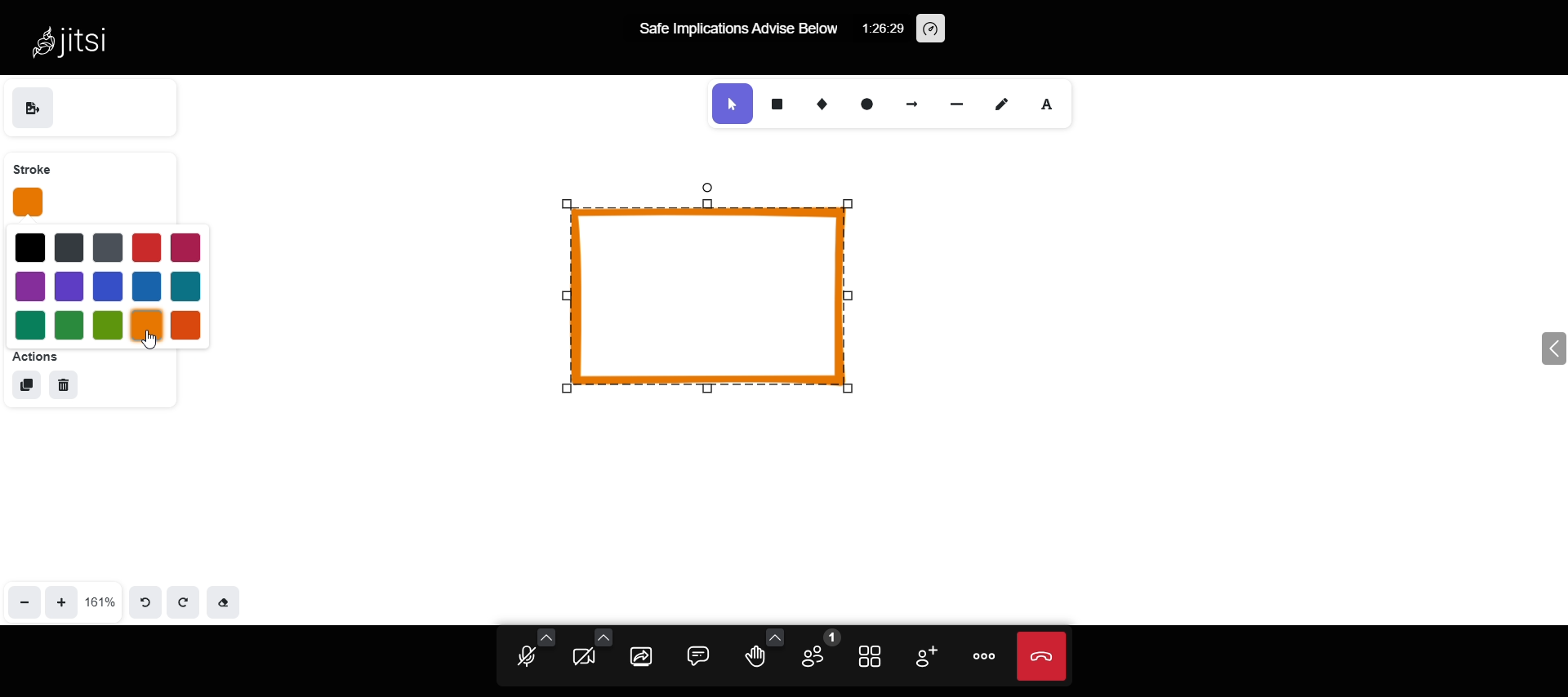 The height and width of the screenshot is (697, 1568). What do you see at coordinates (24, 324) in the screenshot?
I see `green 1` at bounding box center [24, 324].